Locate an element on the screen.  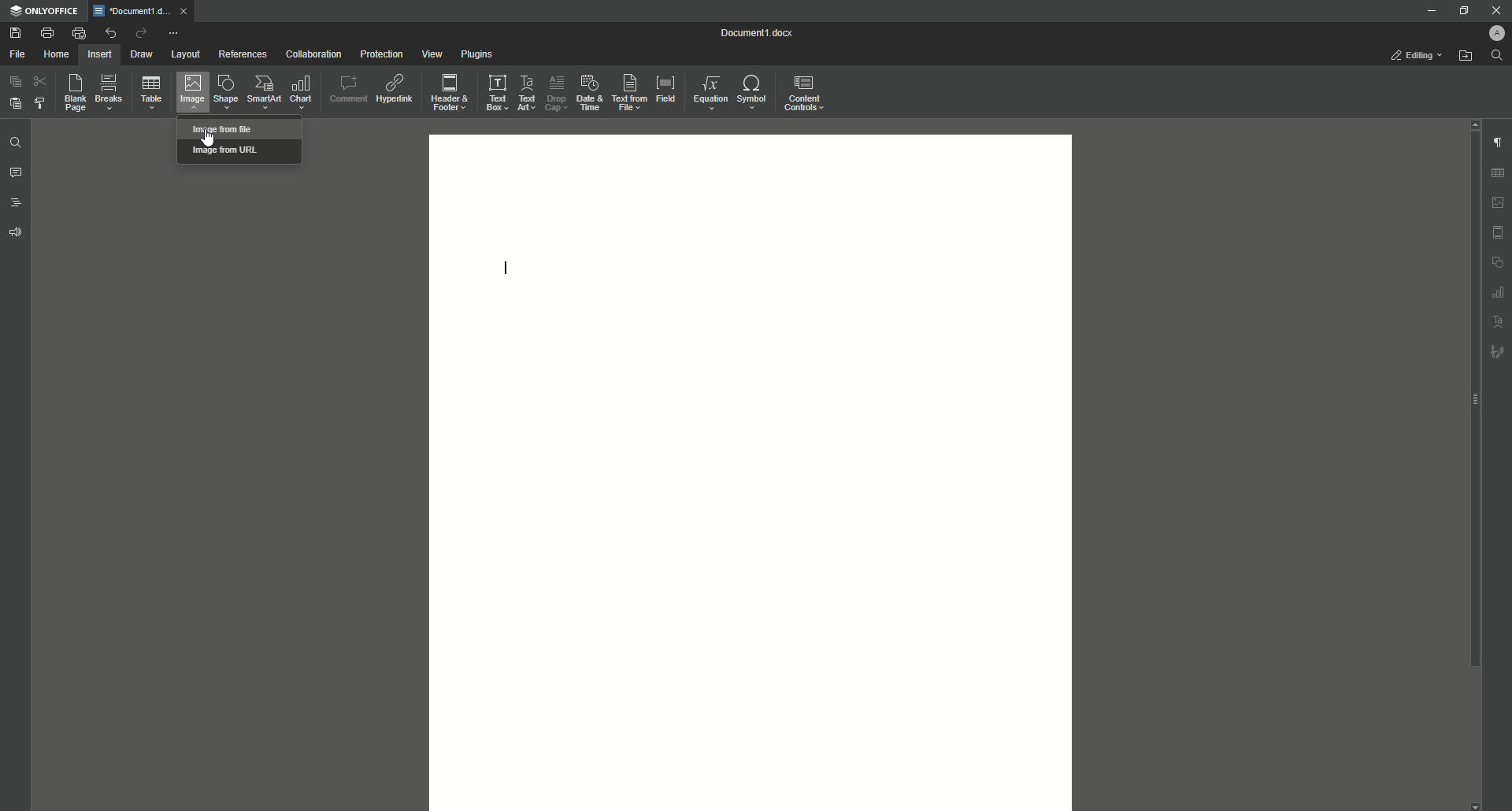
Comment is located at coordinates (345, 93).